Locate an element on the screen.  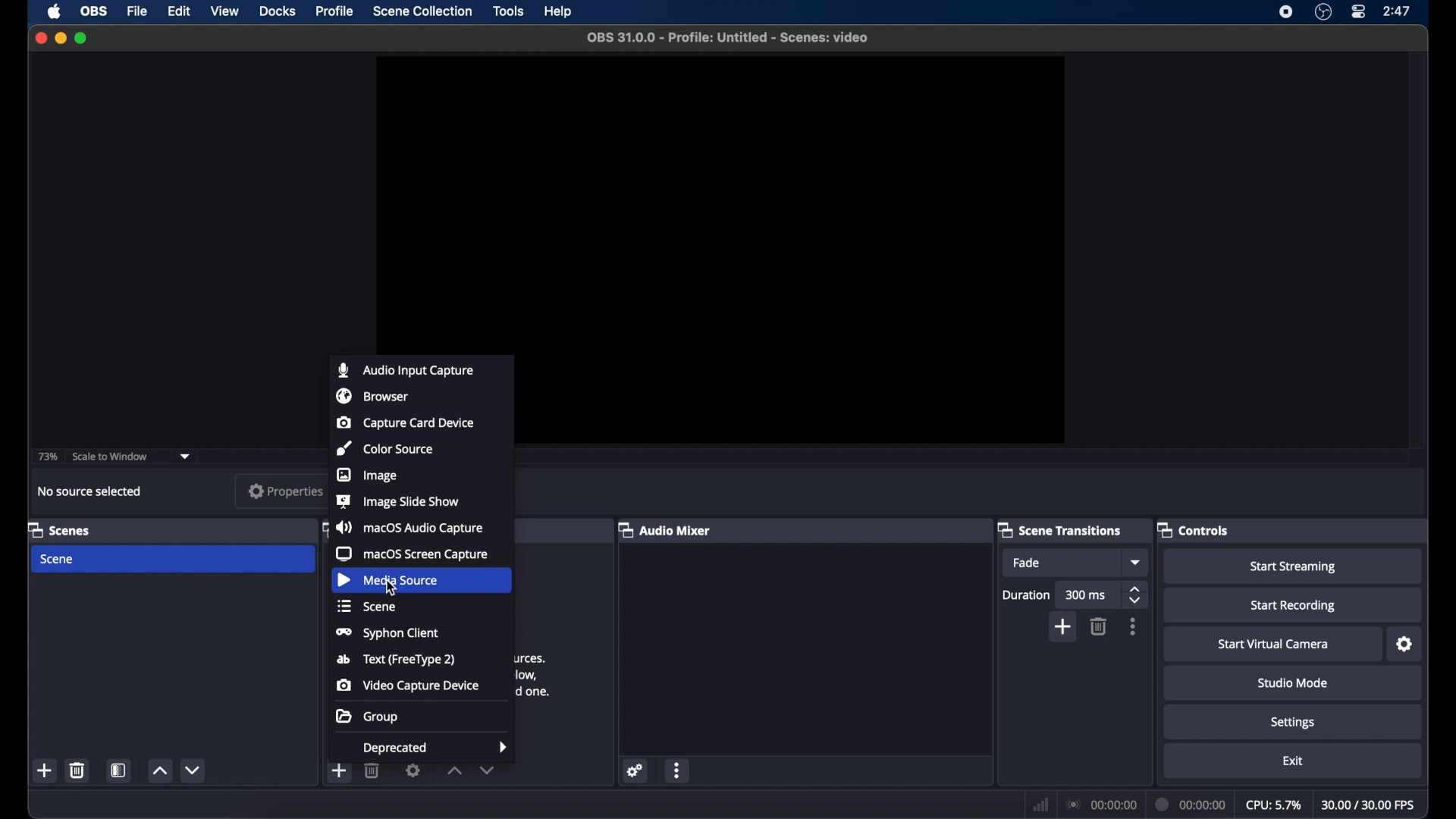
time is located at coordinates (1398, 11).